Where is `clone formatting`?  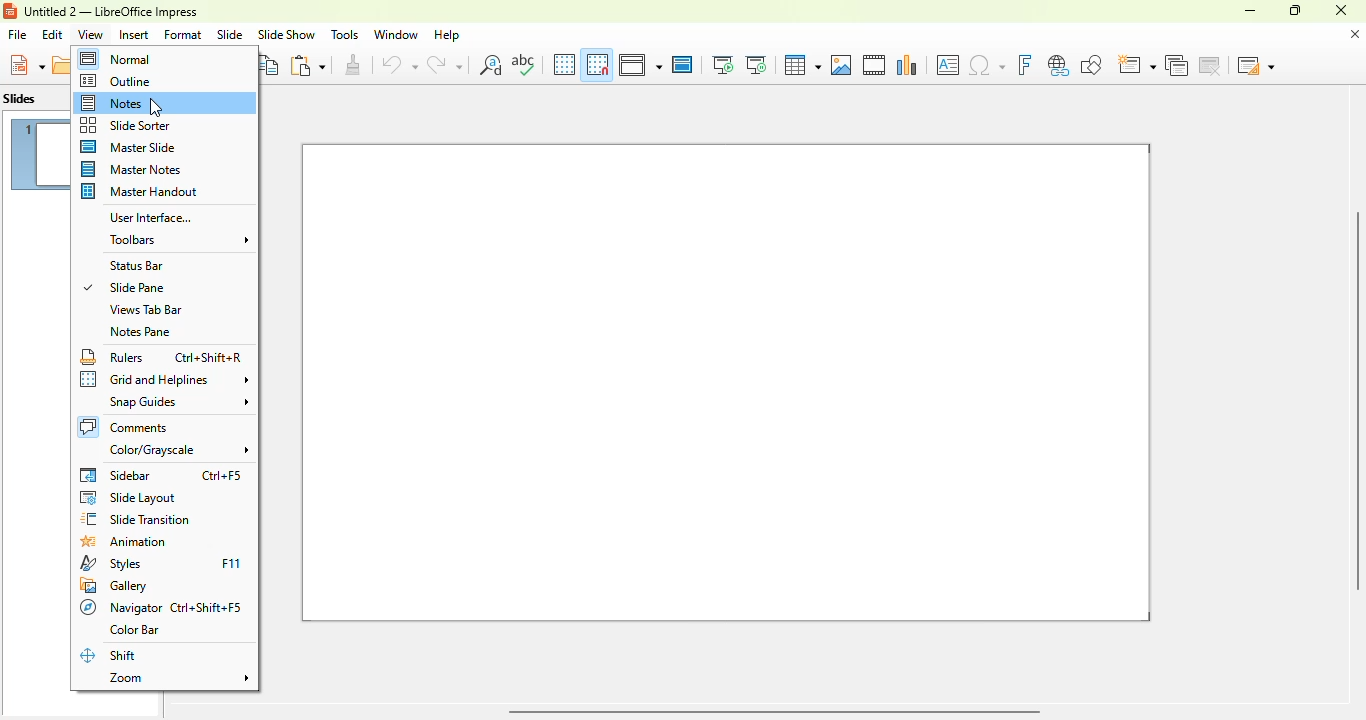
clone formatting is located at coordinates (353, 65).